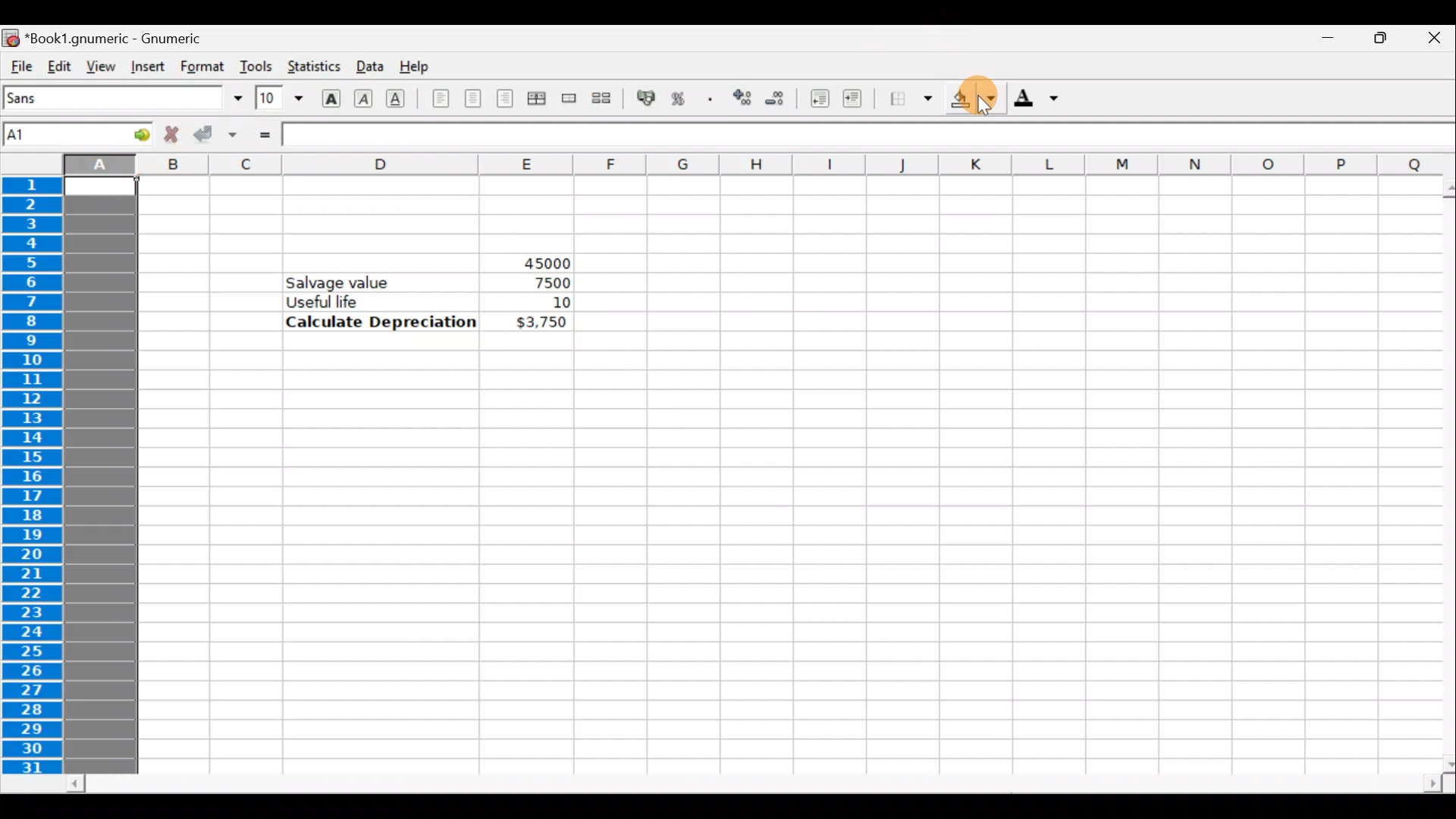 The width and height of the screenshot is (1456, 819). I want to click on Split merged range of cells, so click(602, 97).